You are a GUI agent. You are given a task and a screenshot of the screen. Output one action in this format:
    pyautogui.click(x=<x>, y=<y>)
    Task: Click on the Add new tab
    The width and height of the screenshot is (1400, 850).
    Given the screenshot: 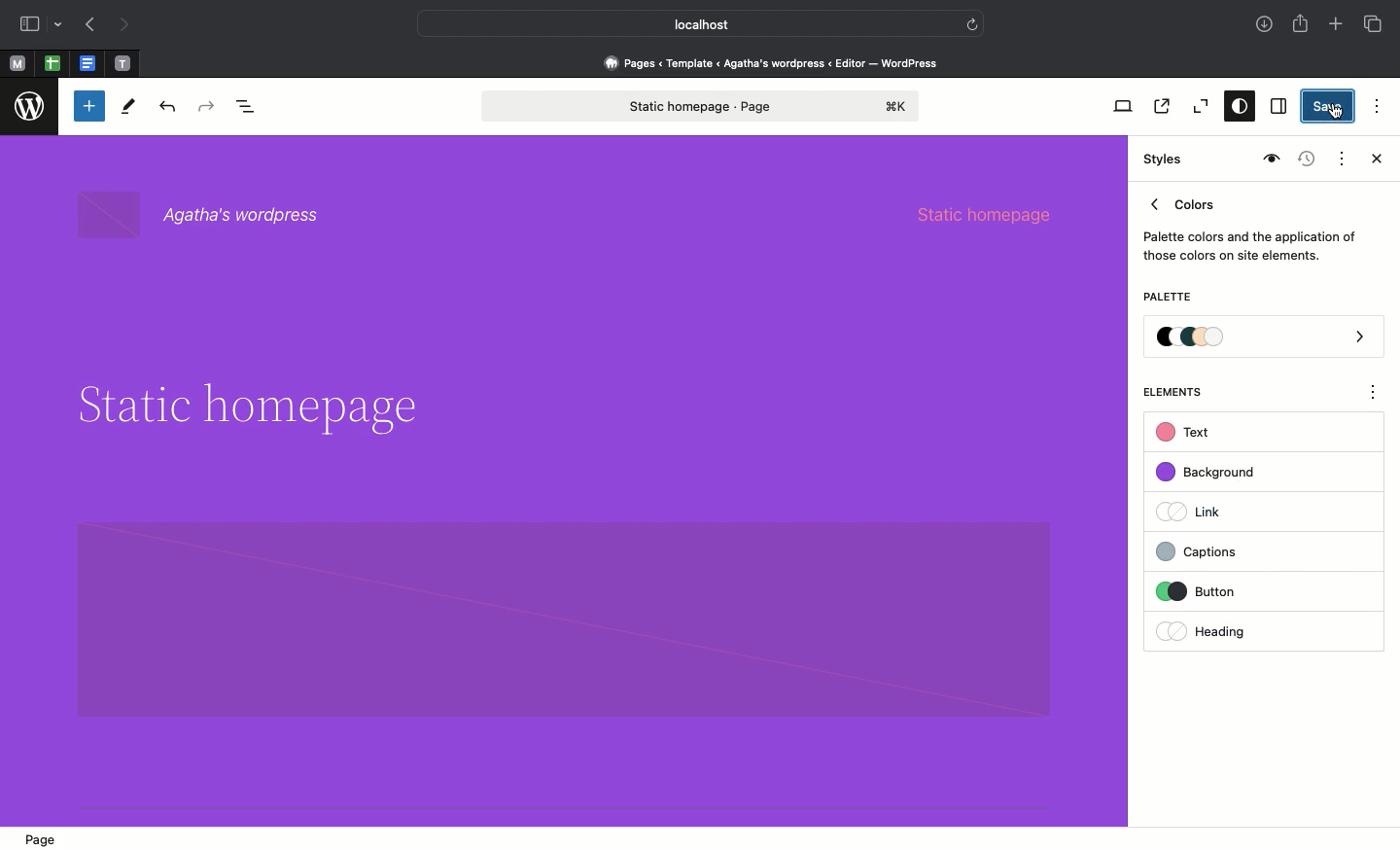 What is the action you would take?
    pyautogui.click(x=1338, y=26)
    